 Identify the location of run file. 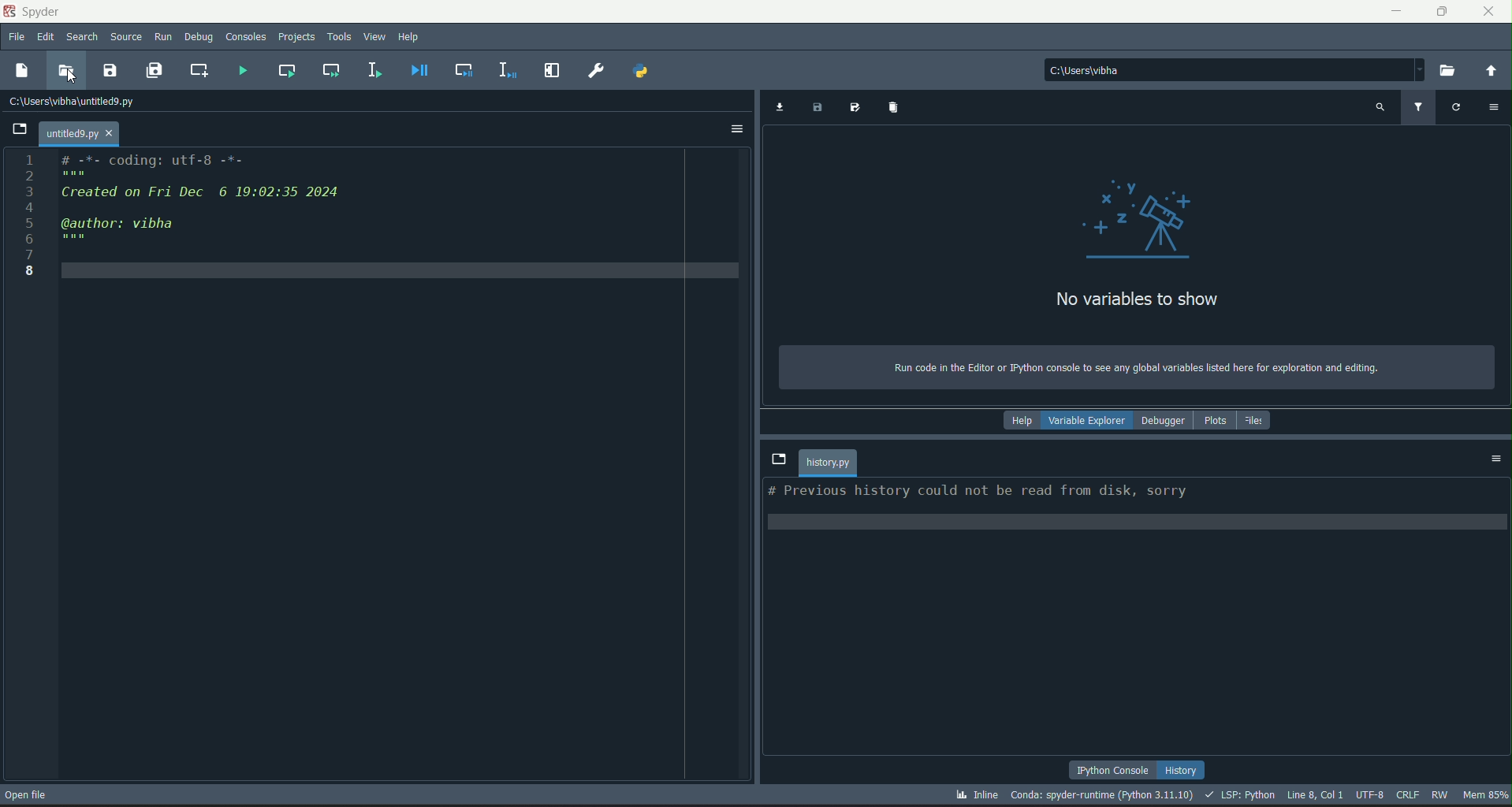
(241, 72).